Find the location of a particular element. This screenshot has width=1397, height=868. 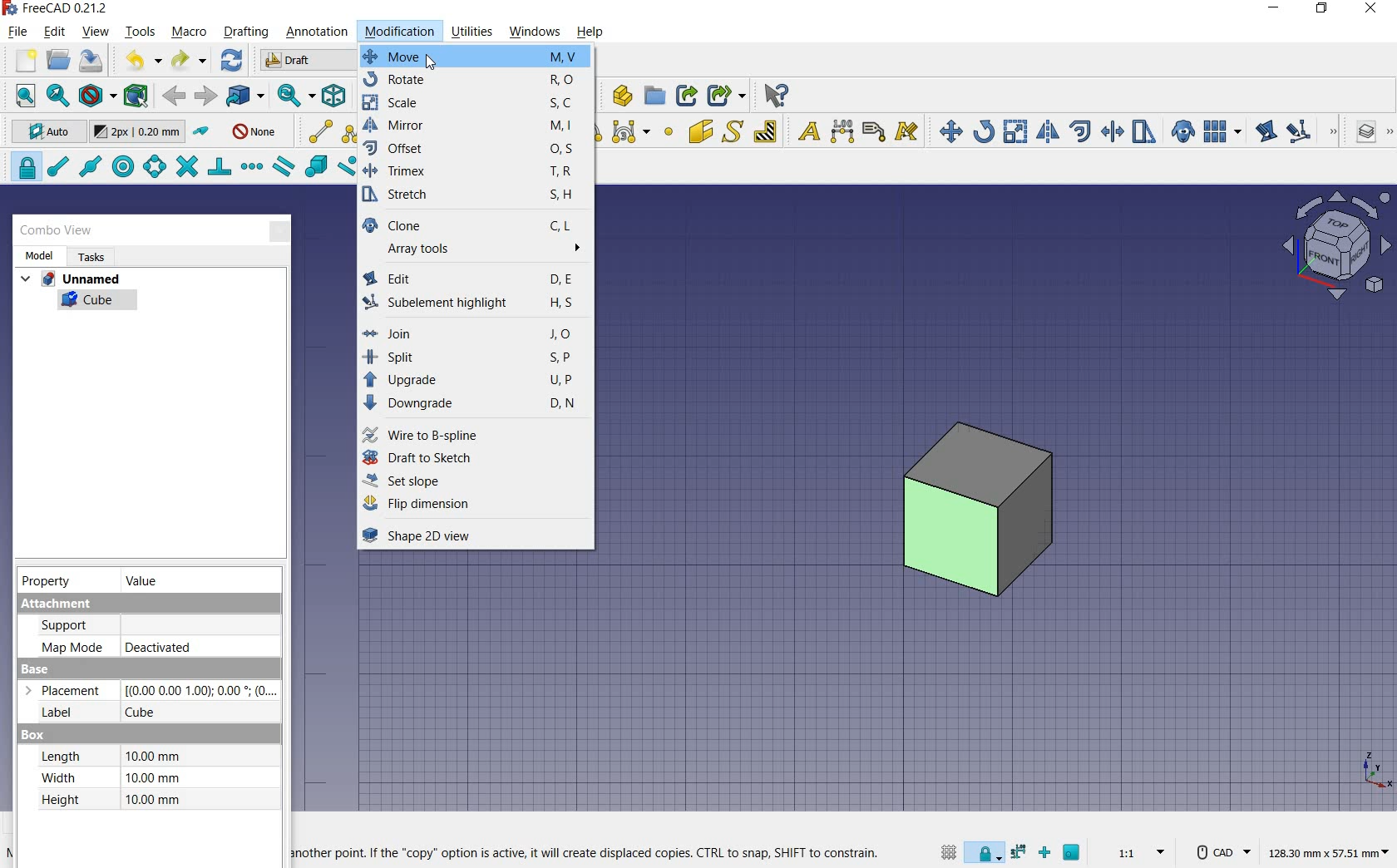

write to B-spline is located at coordinates (473, 434).